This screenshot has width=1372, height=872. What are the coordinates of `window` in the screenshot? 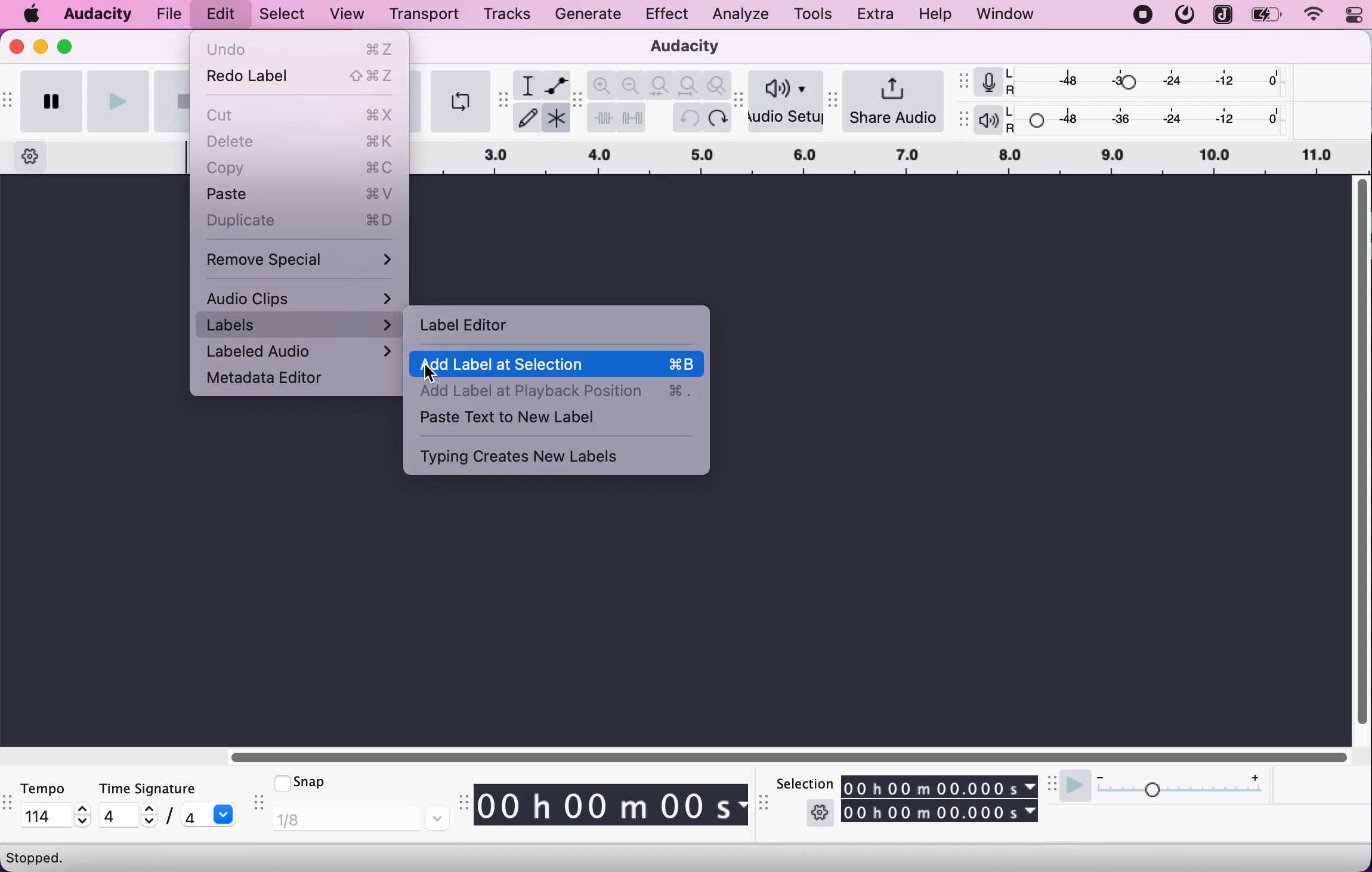 It's located at (1006, 15).